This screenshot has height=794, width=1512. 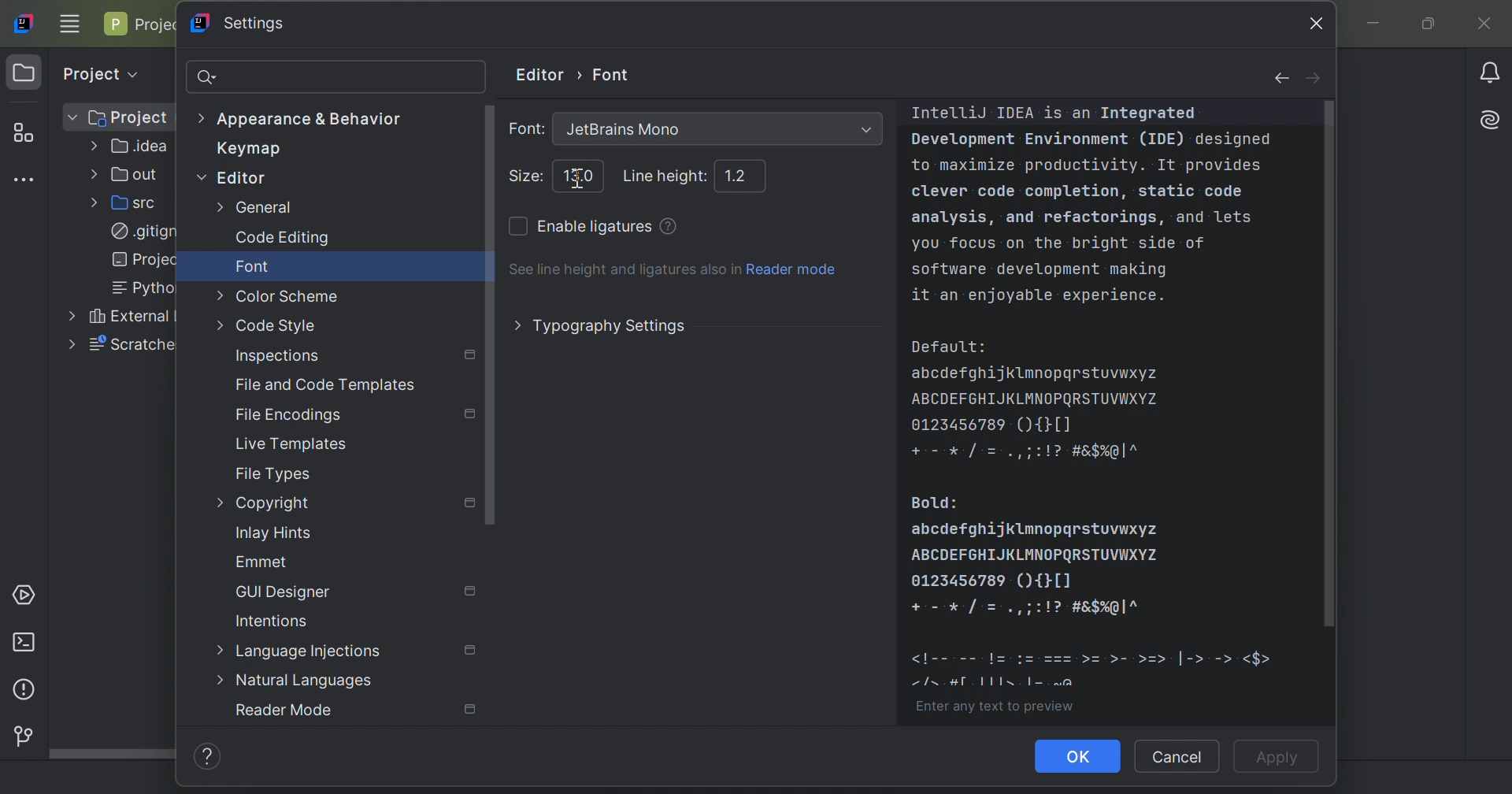 I want to click on Editor, so click(x=231, y=176).